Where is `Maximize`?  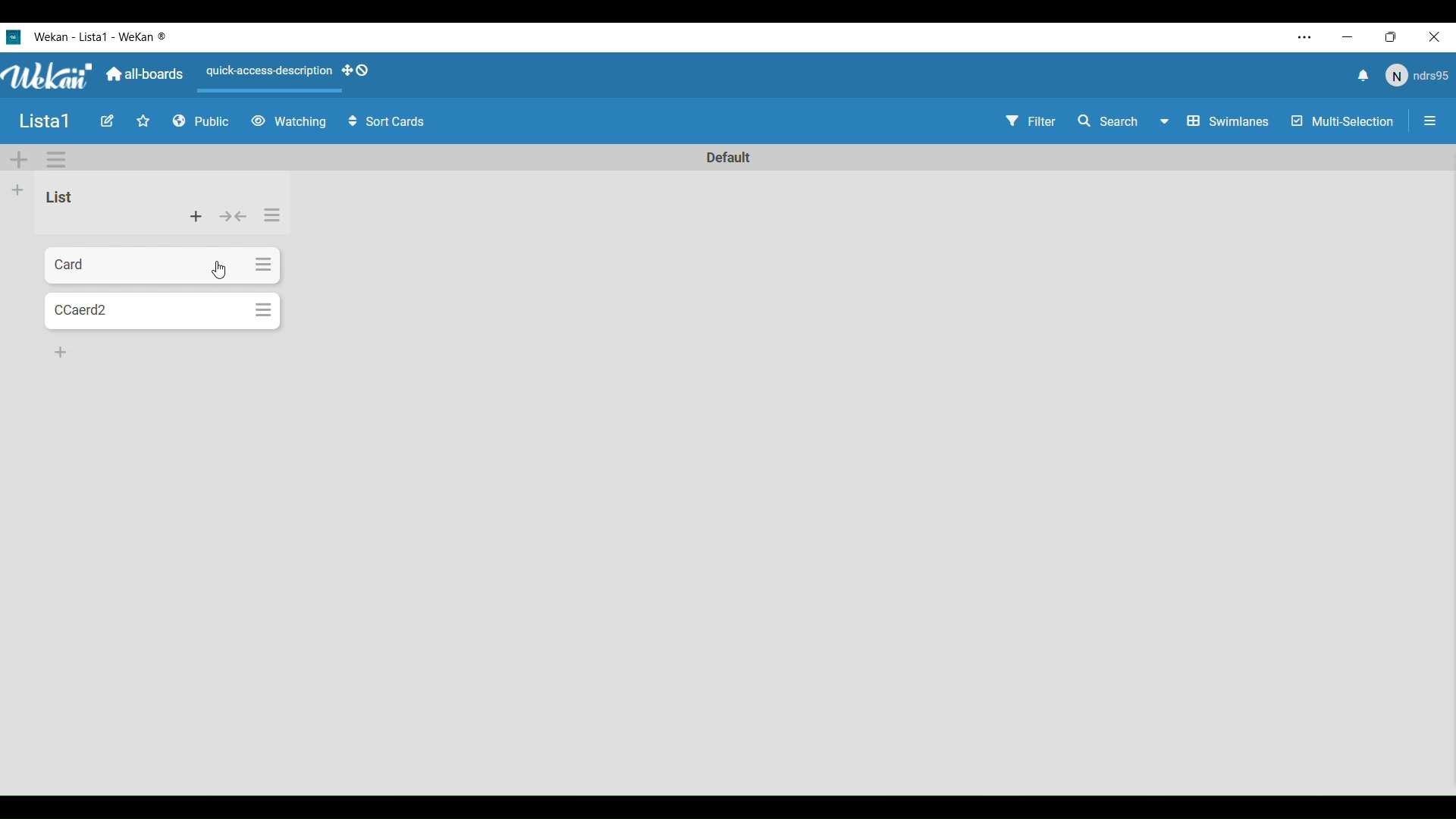
Maximize is located at coordinates (1395, 38).